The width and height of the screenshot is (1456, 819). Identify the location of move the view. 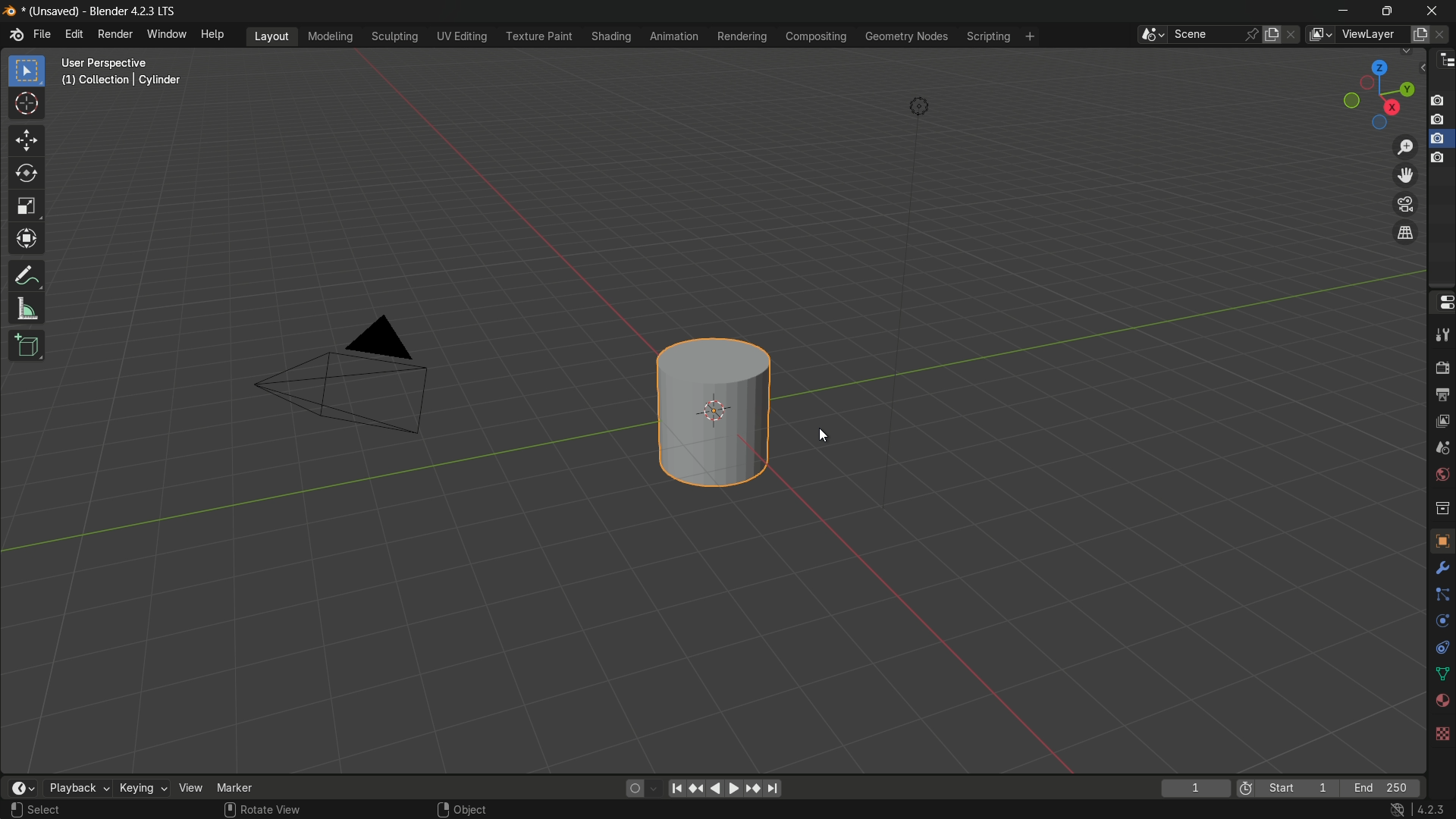
(1402, 175).